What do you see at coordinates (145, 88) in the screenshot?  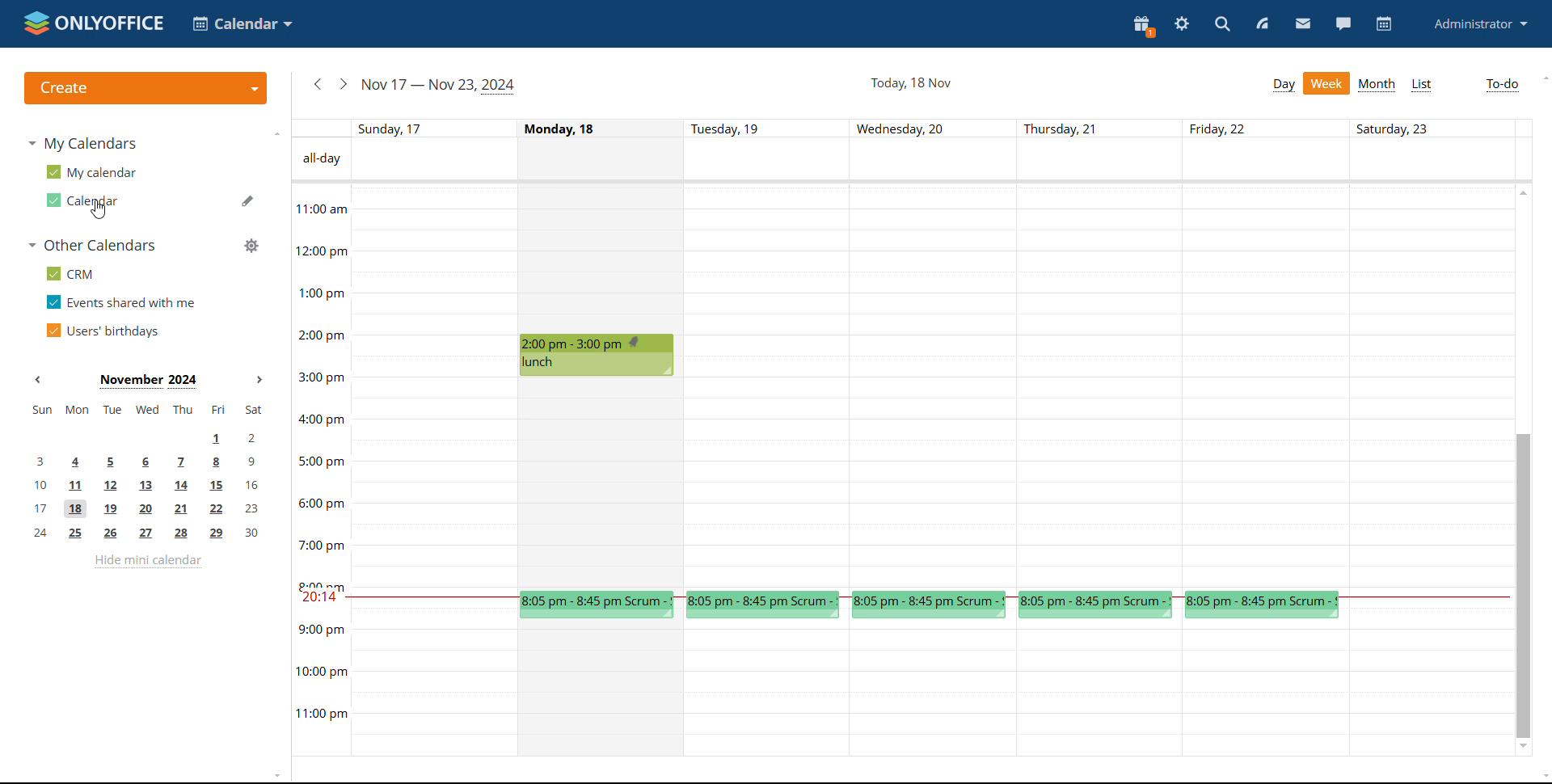 I see `create` at bounding box center [145, 88].